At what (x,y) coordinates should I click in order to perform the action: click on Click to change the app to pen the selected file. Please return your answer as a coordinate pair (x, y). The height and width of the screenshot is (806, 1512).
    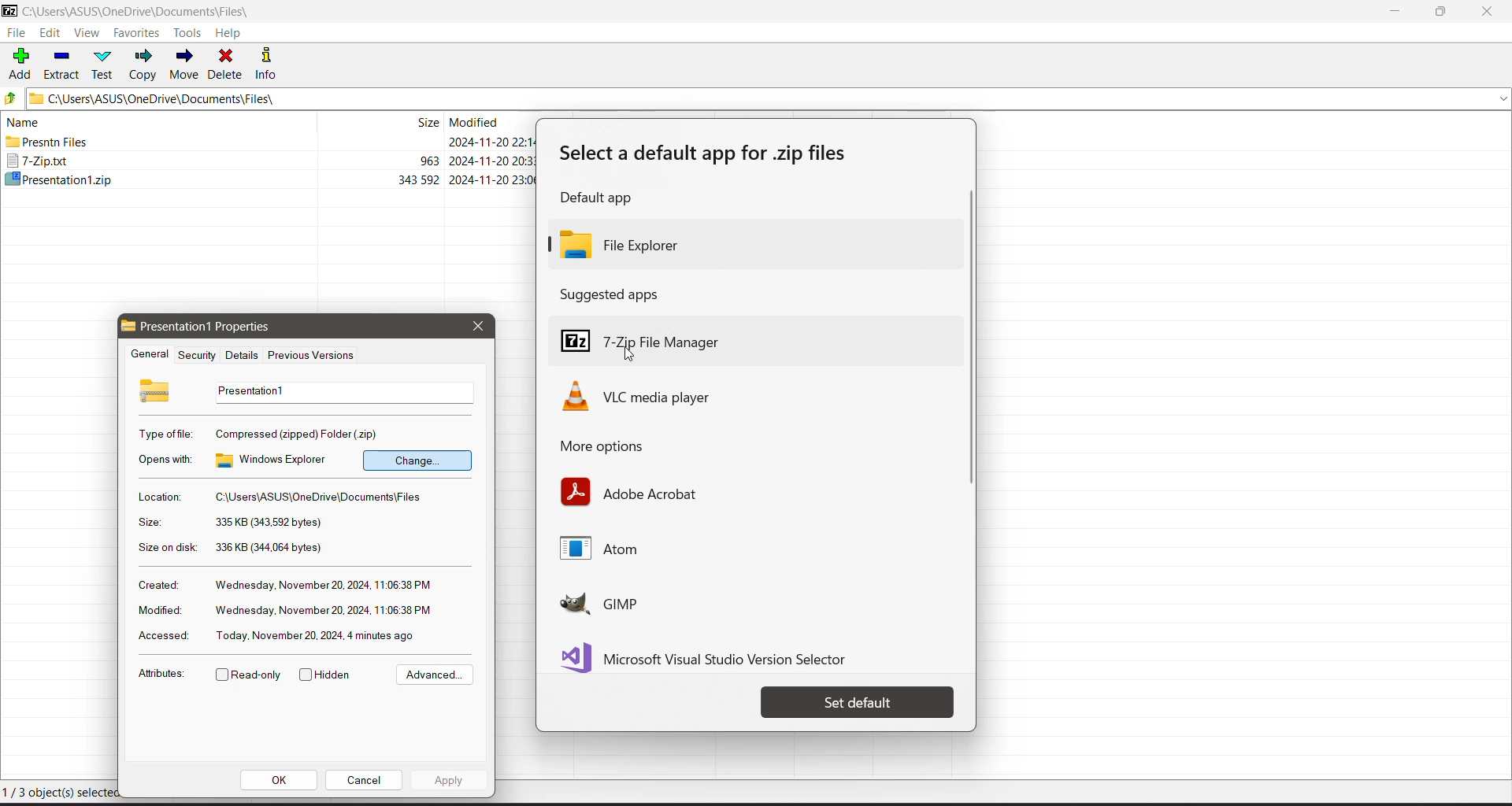
    Looking at the image, I should click on (417, 460).